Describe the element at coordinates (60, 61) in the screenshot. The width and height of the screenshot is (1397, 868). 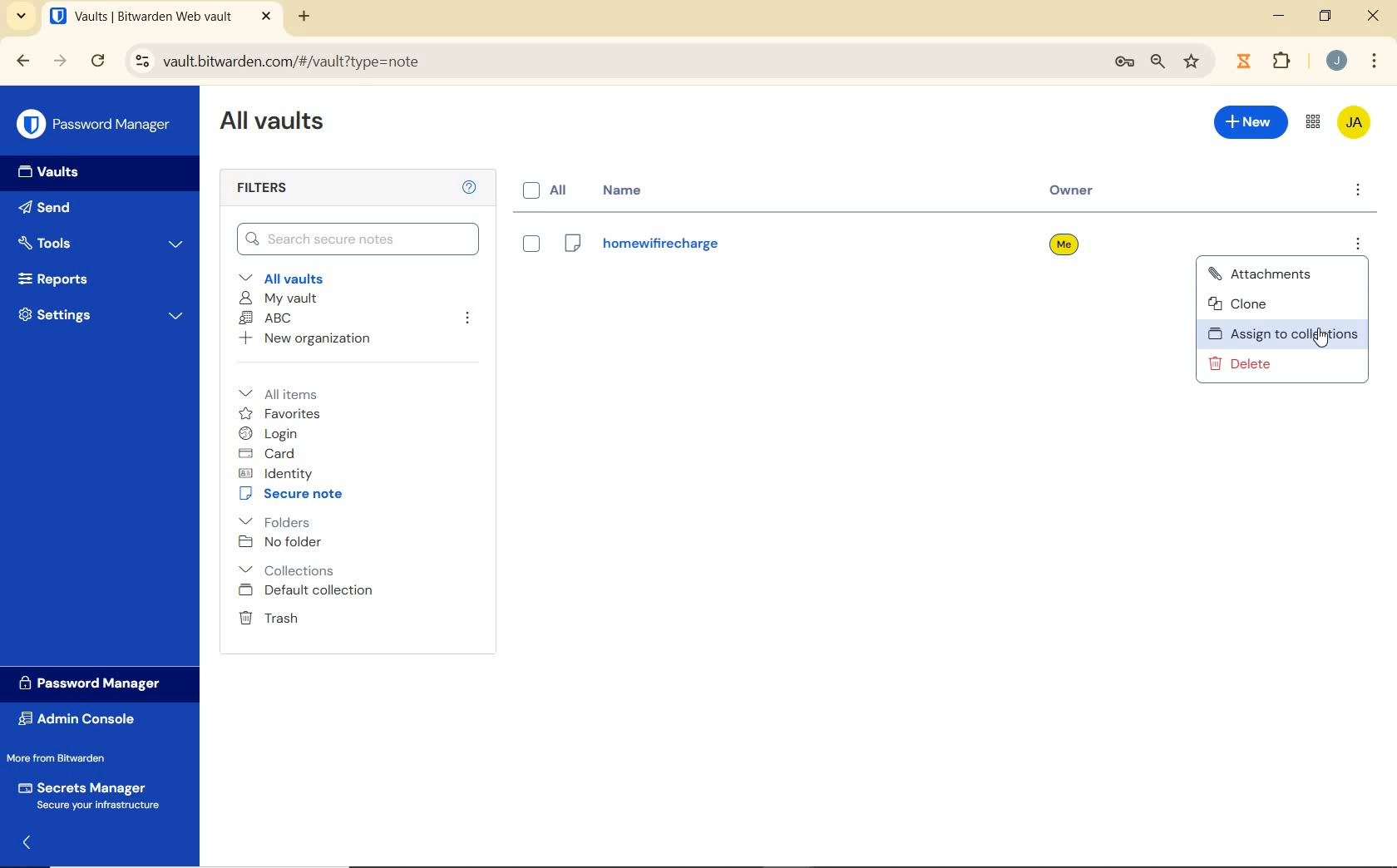
I see `forward` at that location.